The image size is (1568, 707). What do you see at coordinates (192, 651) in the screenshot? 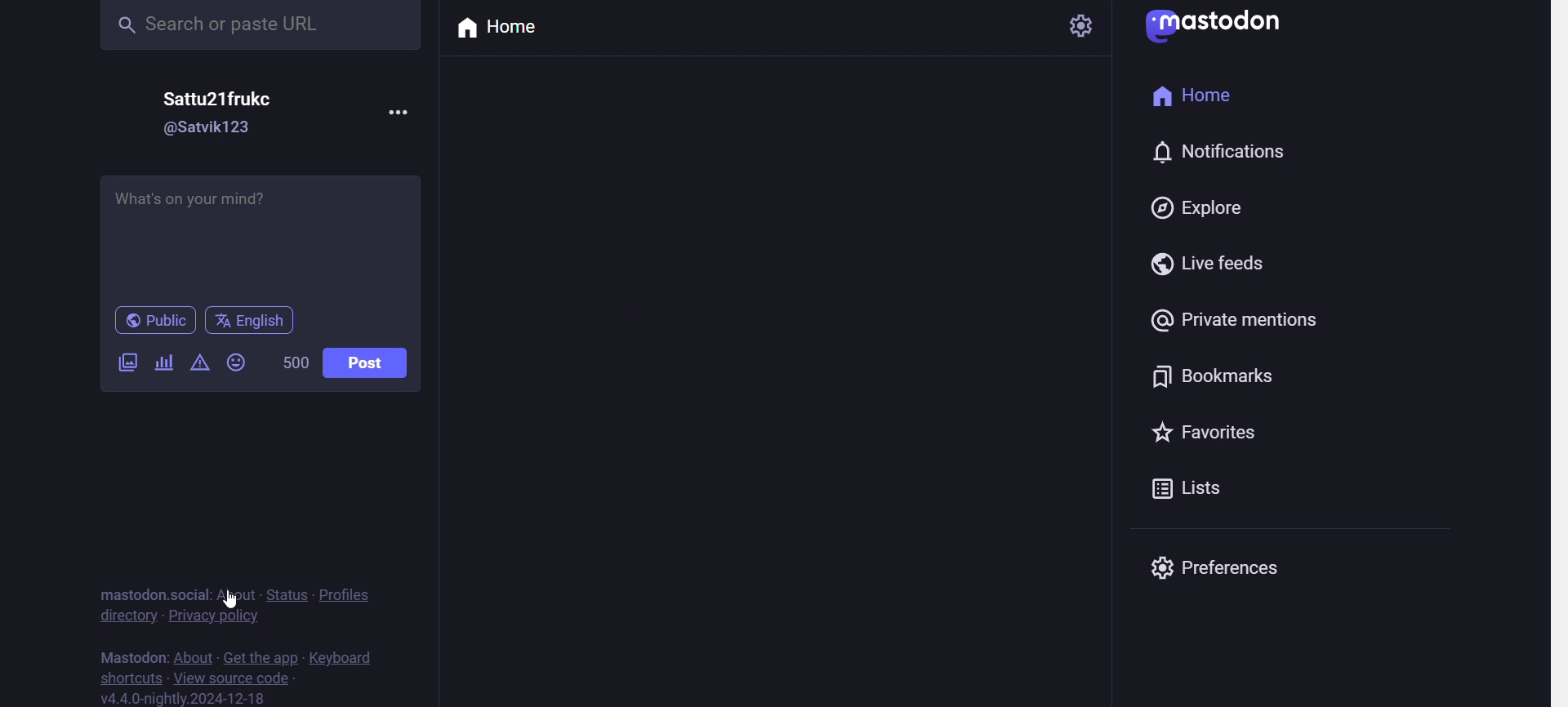
I see `about` at bounding box center [192, 651].